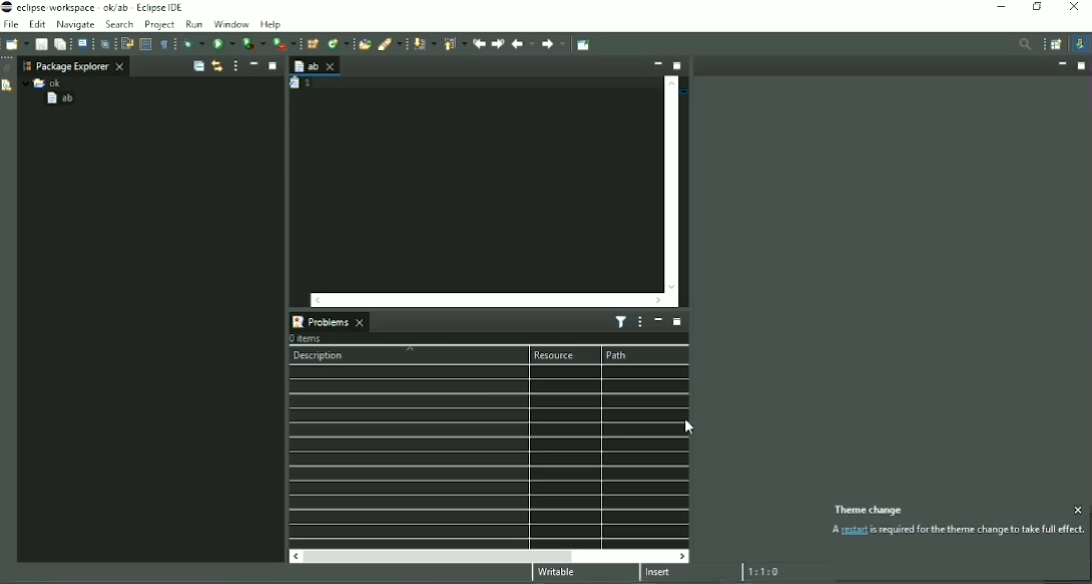 The width and height of the screenshot is (1092, 584). What do you see at coordinates (555, 43) in the screenshot?
I see `Forward` at bounding box center [555, 43].